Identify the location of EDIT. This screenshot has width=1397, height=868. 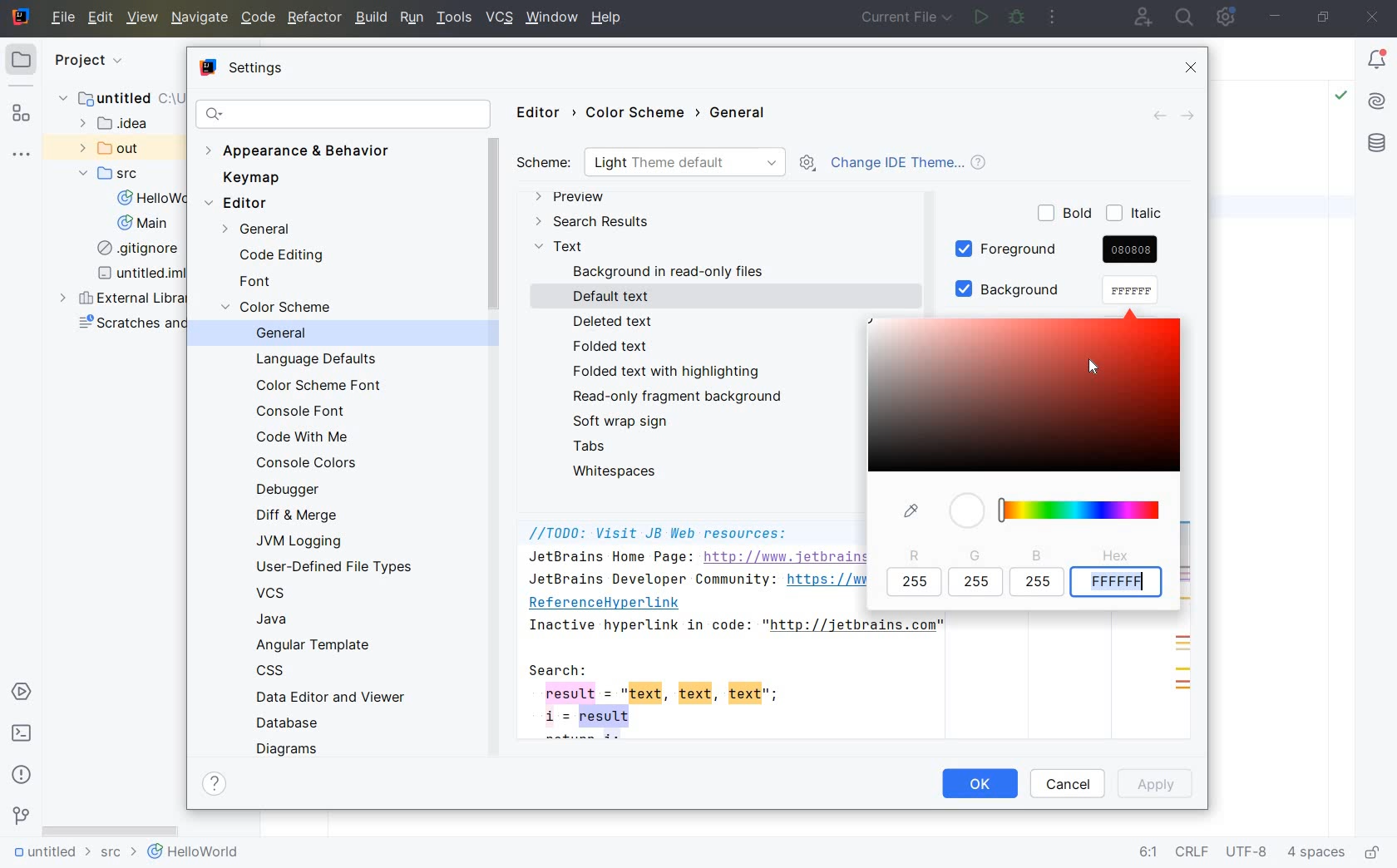
(103, 19).